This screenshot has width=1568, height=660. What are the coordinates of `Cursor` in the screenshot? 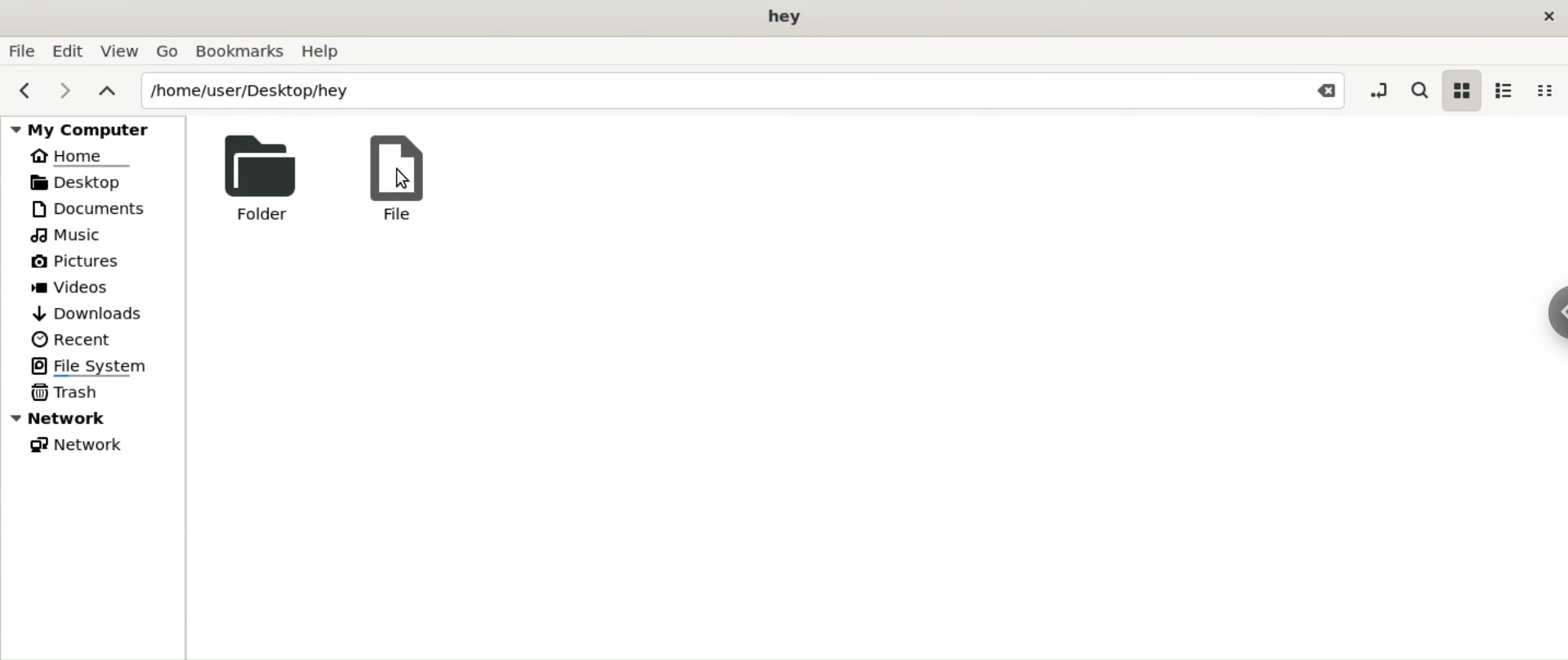 It's located at (395, 188).